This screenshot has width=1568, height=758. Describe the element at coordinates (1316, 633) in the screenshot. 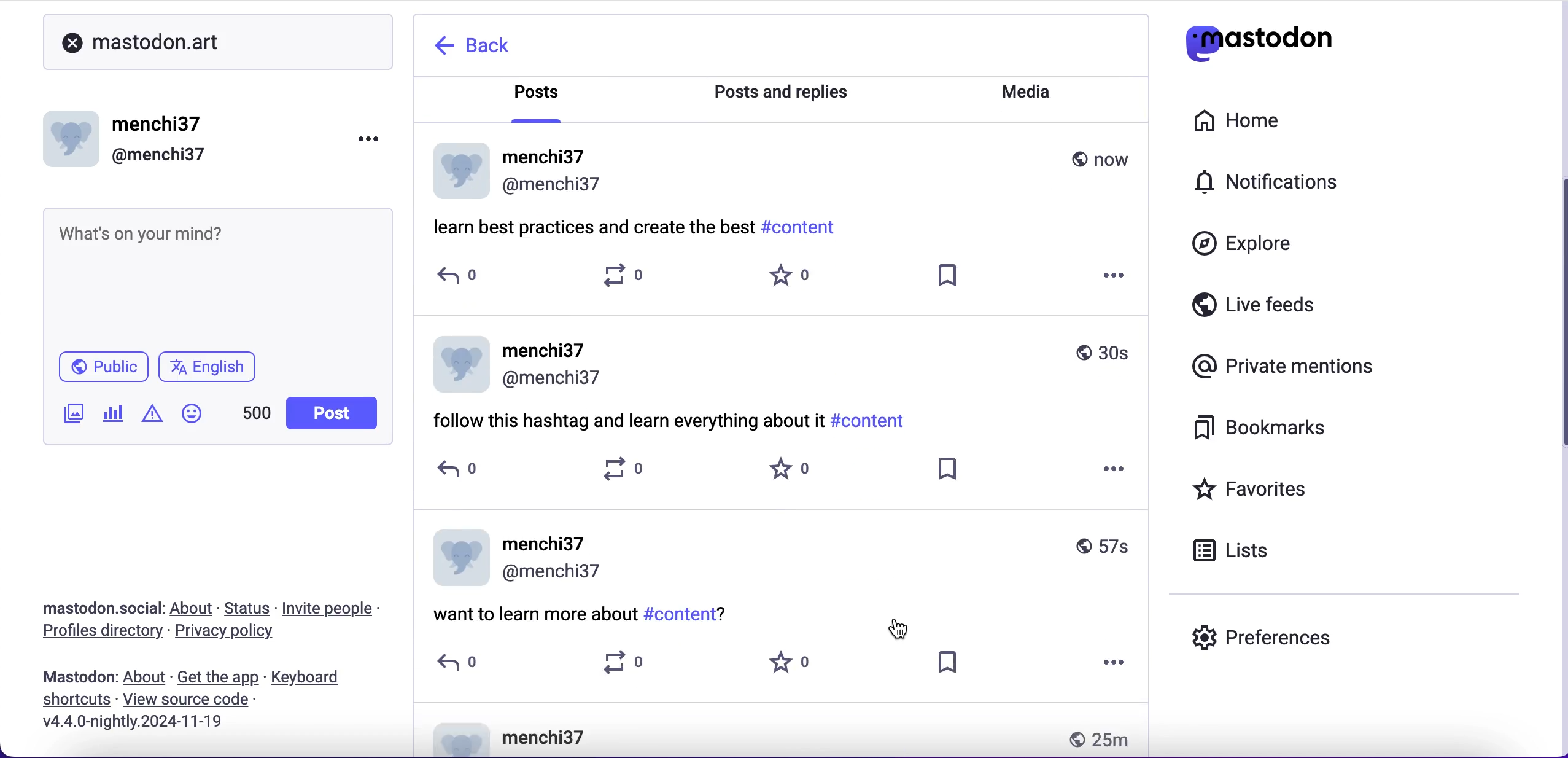

I see `preferences` at that location.